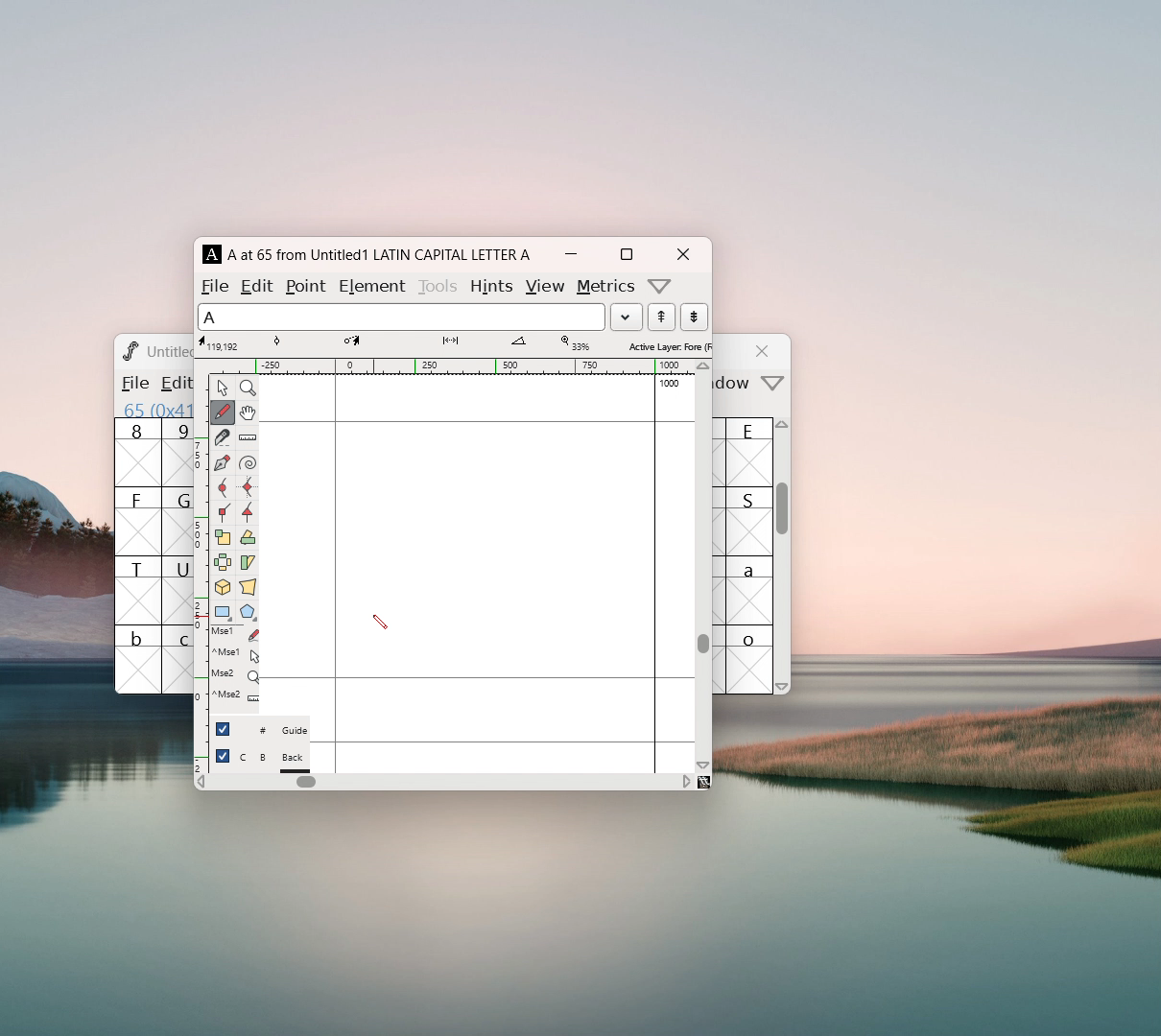  Describe the element at coordinates (273, 760) in the screenshot. I see `C B Back` at that location.